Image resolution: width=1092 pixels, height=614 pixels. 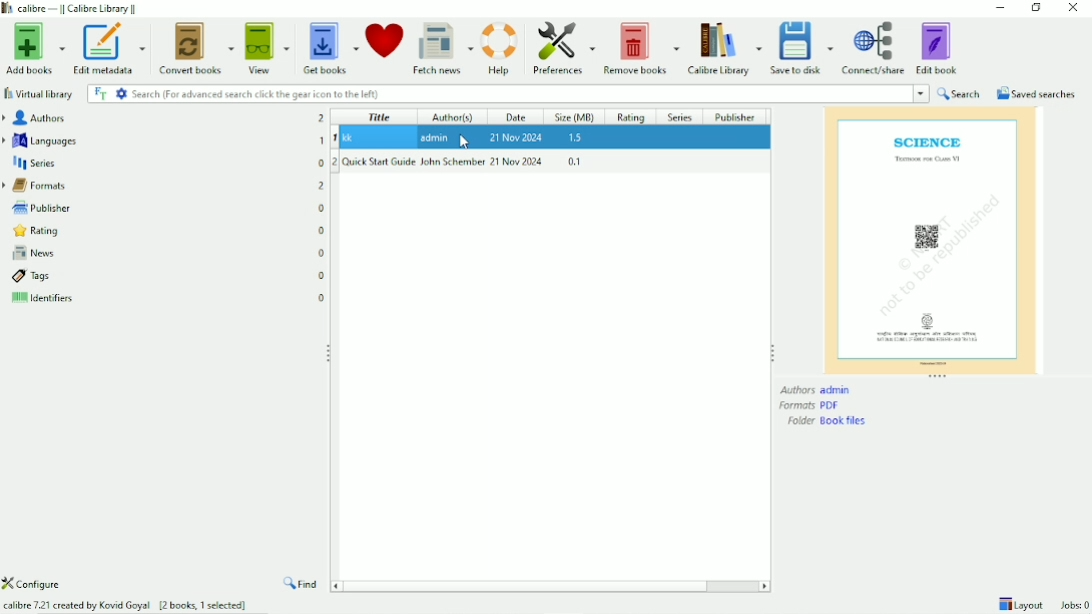 I want to click on Horizontal scrollbar, so click(x=531, y=585).